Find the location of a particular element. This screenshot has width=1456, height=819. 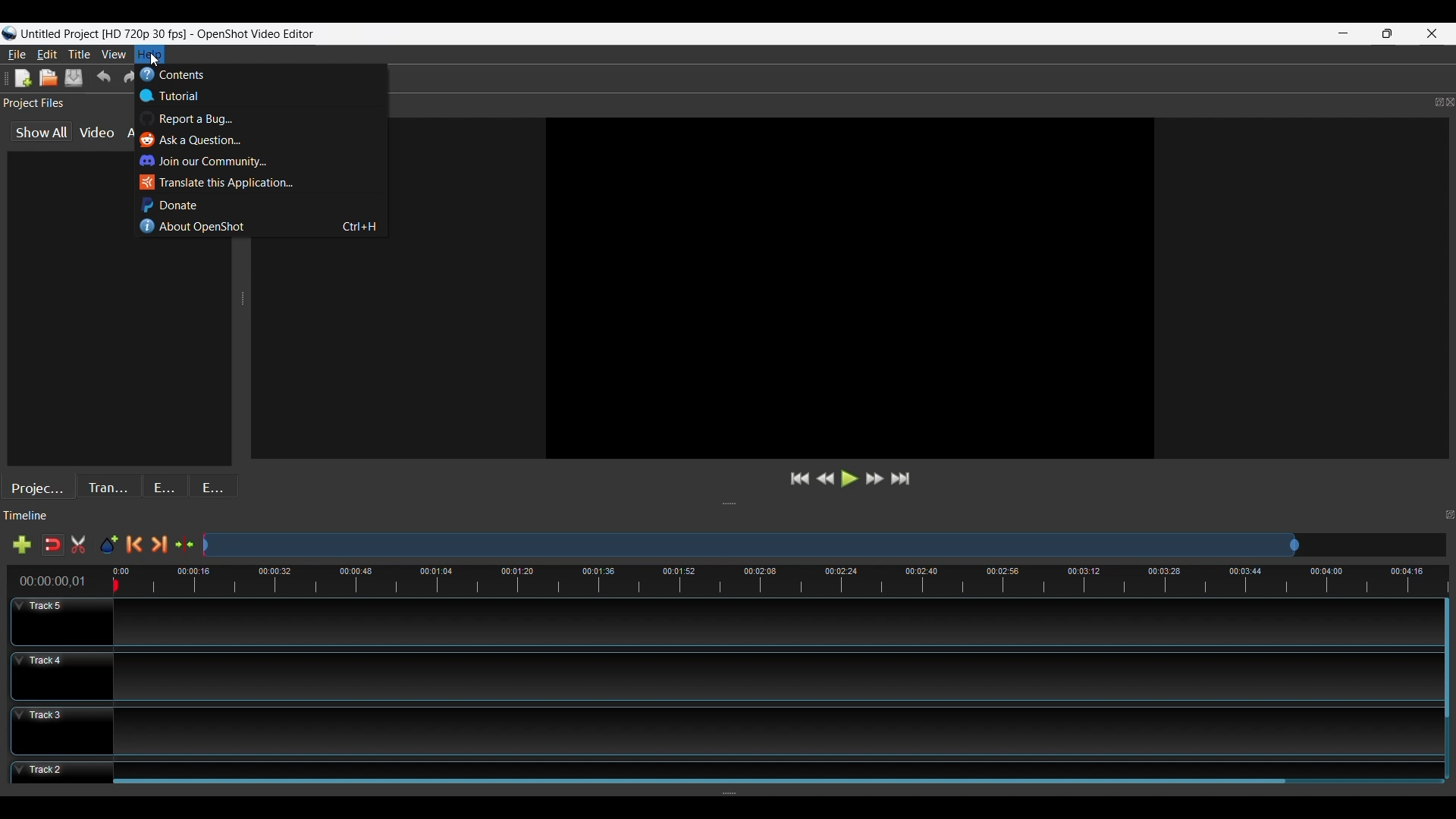

New Project is located at coordinates (49, 77).